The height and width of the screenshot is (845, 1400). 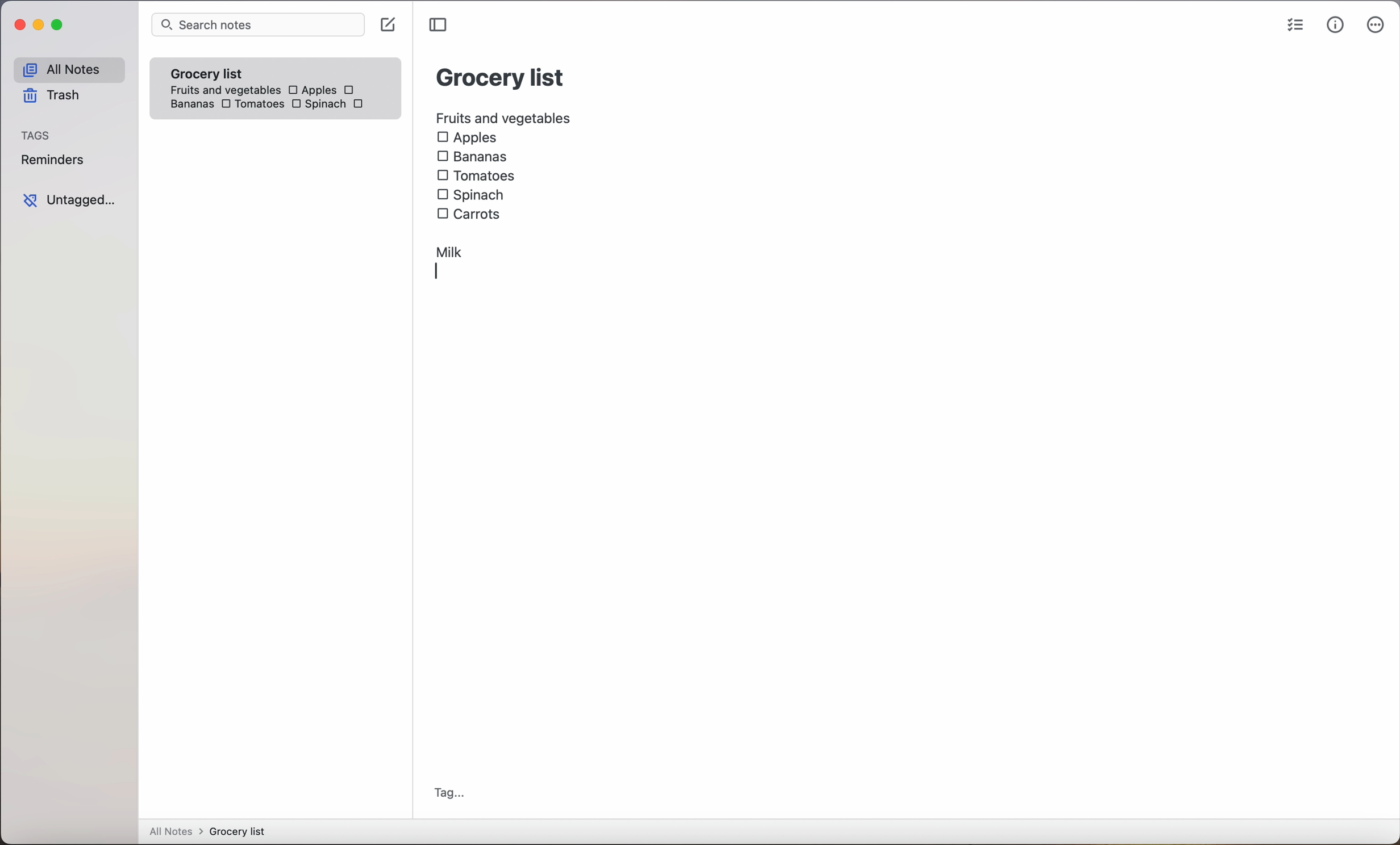 What do you see at coordinates (251, 105) in the screenshot?
I see `Tomatoes checkbox` at bounding box center [251, 105].